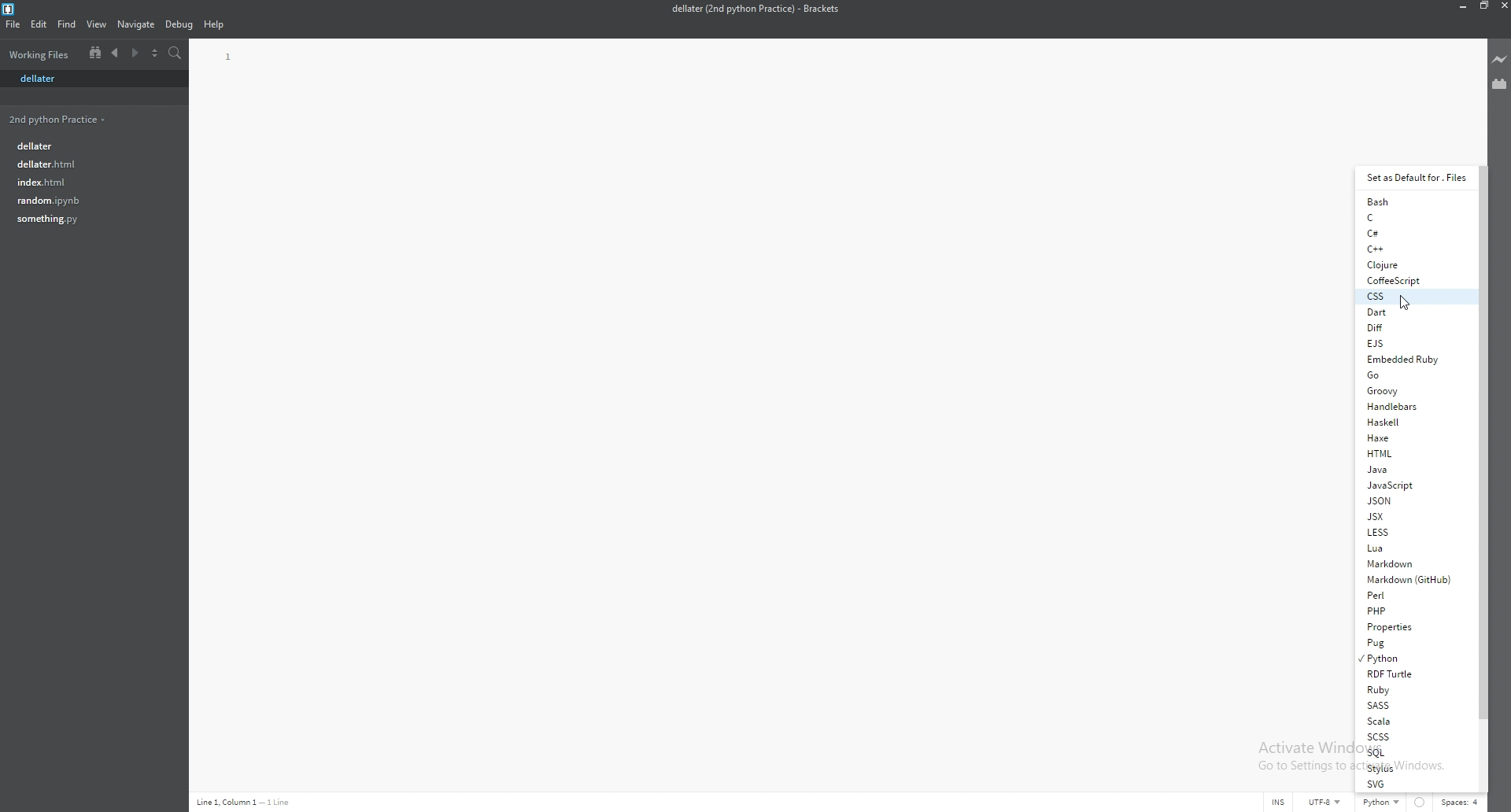  I want to click on language, so click(1380, 804).